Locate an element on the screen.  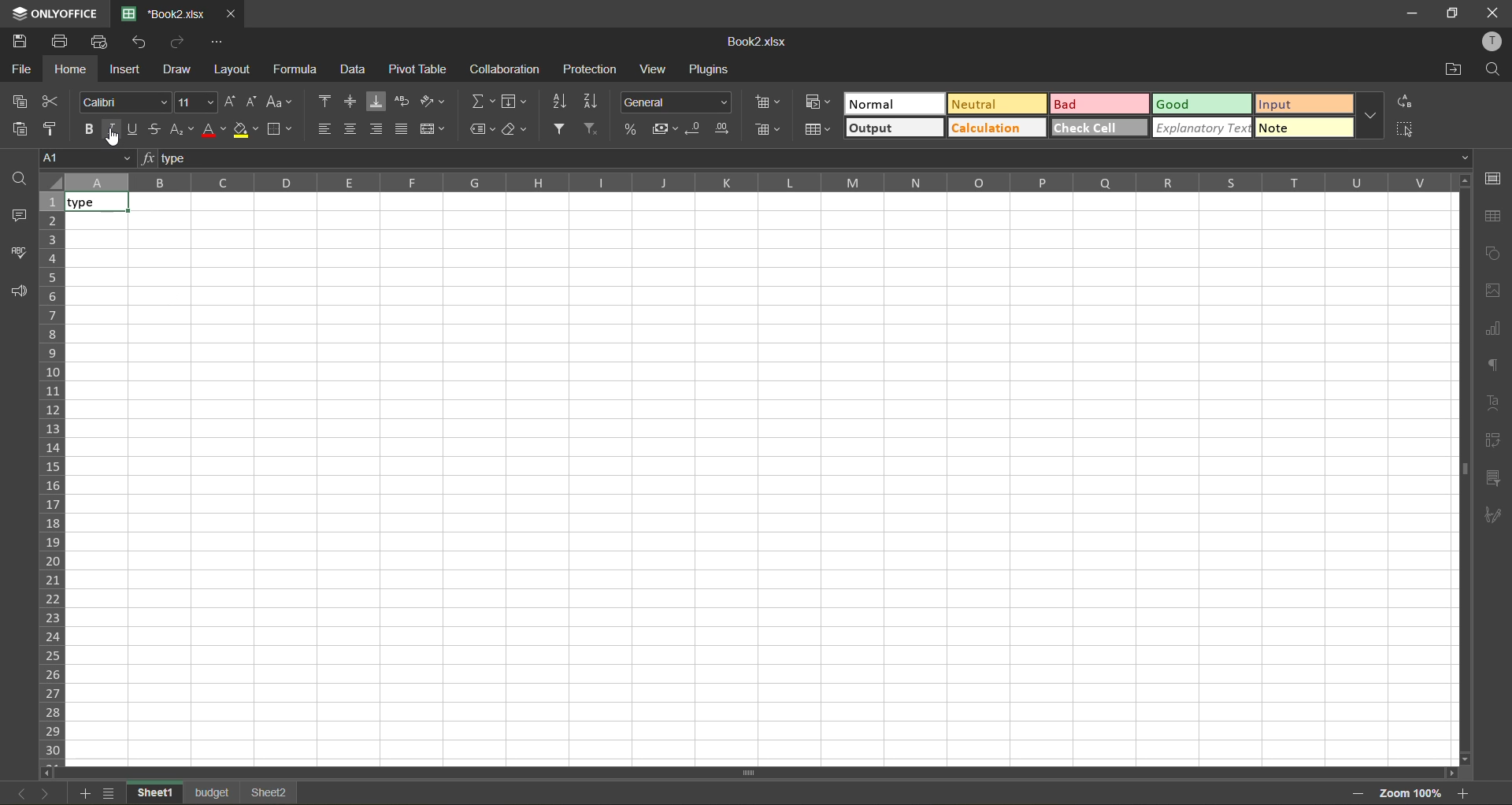
insert is located at coordinates (127, 71).